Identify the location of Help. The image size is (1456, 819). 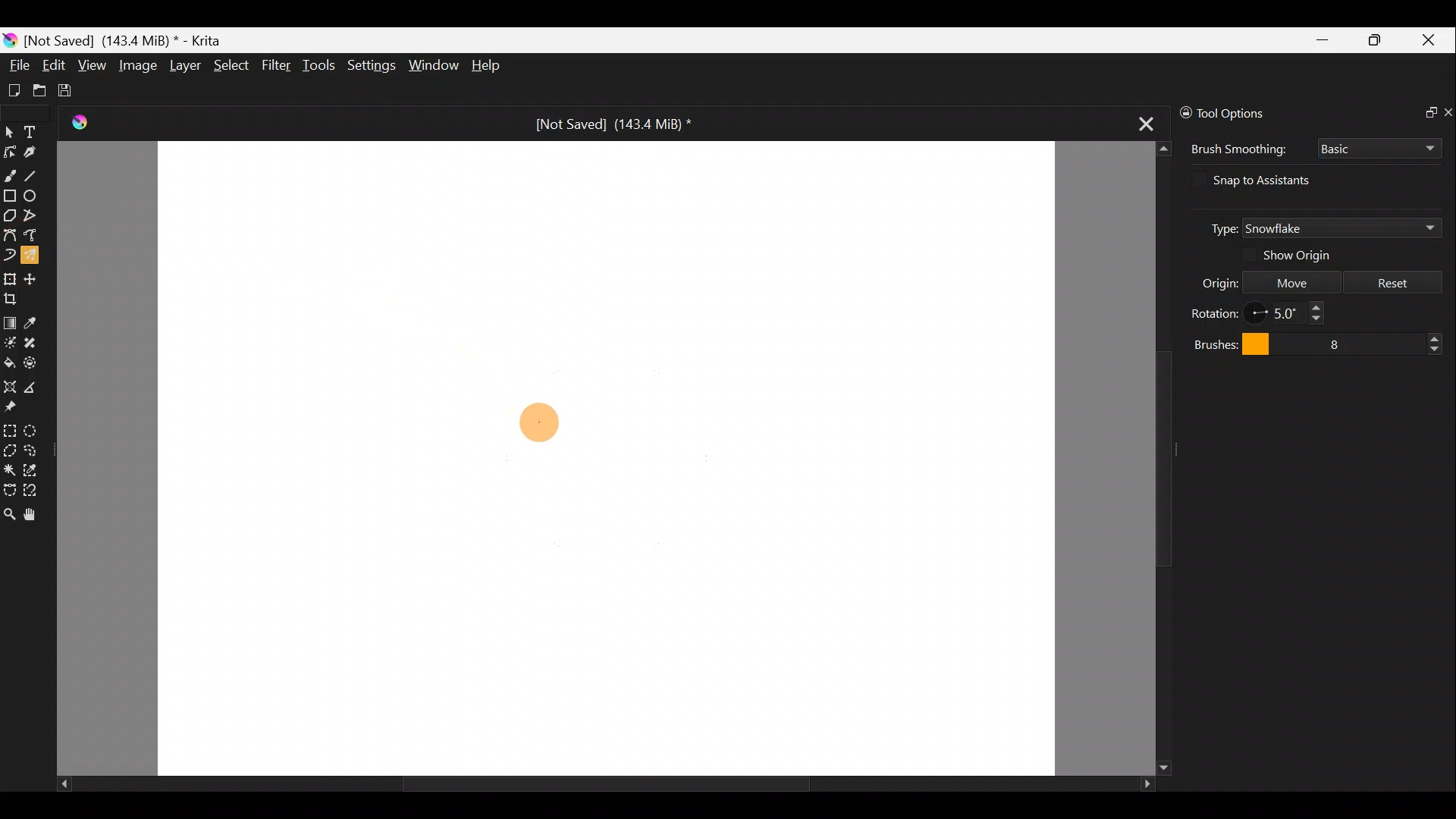
(496, 65).